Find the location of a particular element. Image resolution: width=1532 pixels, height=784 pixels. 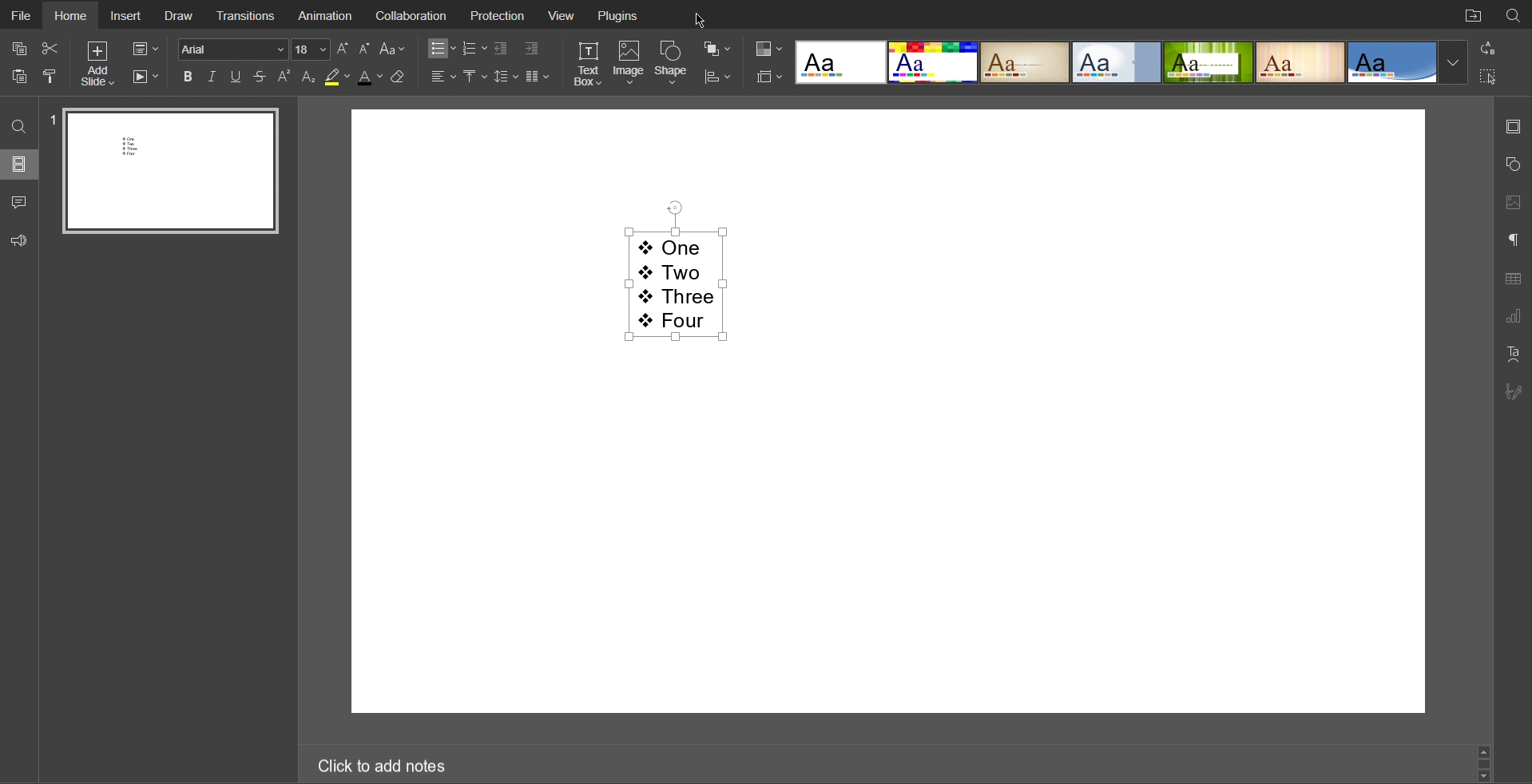

Slide Settings is located at coordinates (1514, 127).